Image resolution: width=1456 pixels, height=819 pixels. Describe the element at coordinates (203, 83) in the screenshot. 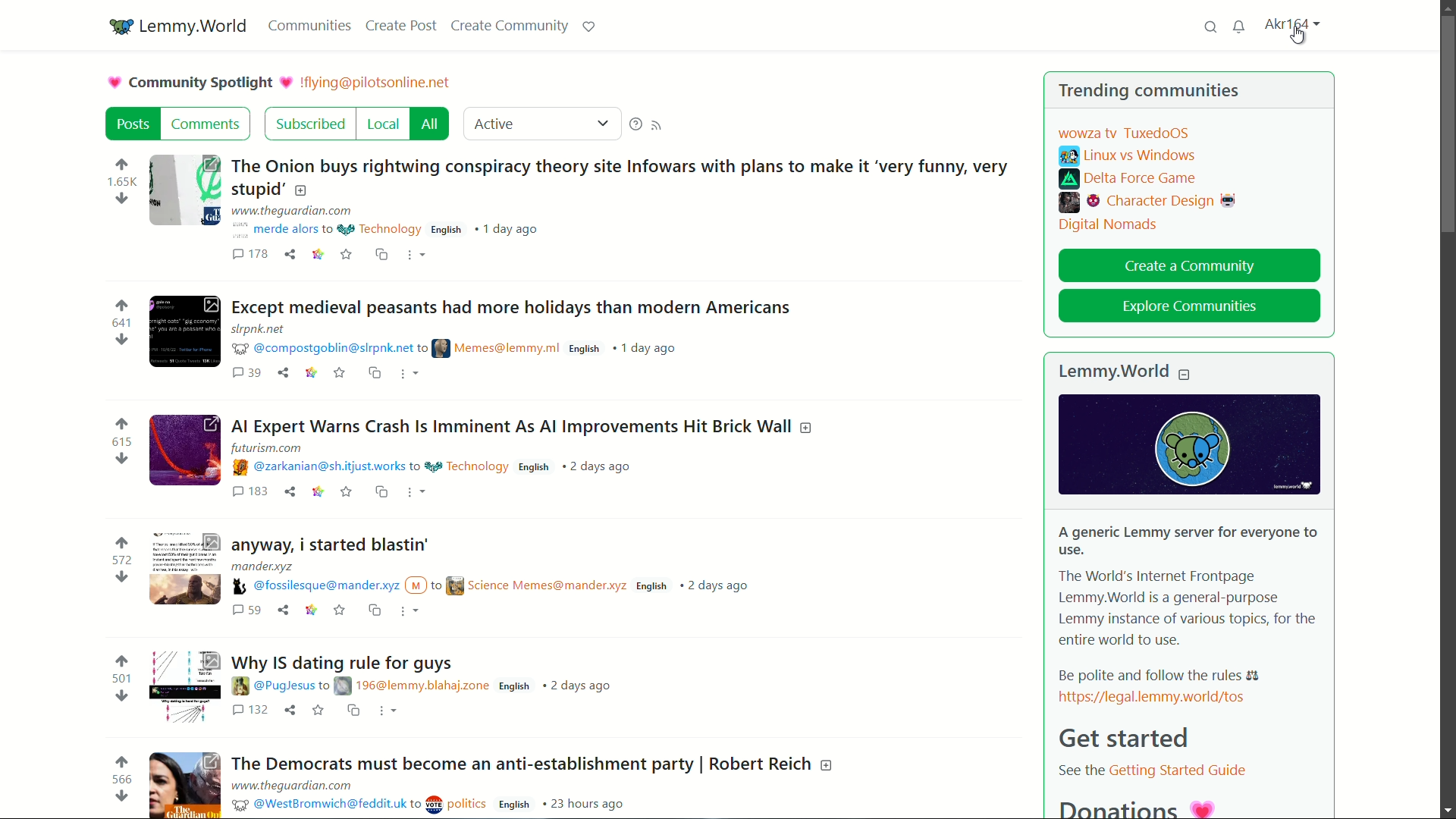

I see `community spotlight` at that location.